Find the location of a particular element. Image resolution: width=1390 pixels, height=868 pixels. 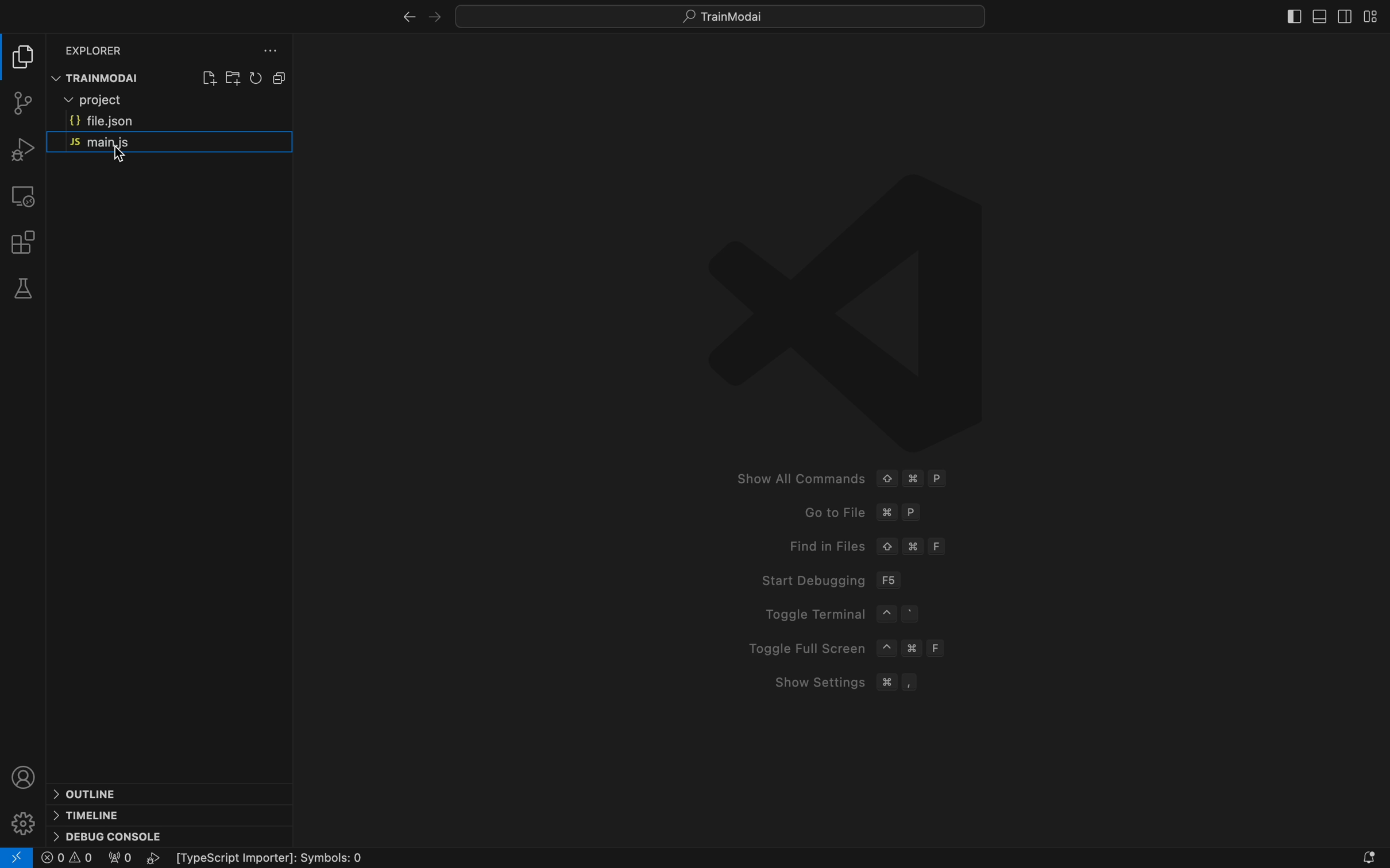

profile is located at coordinates (24, 776).